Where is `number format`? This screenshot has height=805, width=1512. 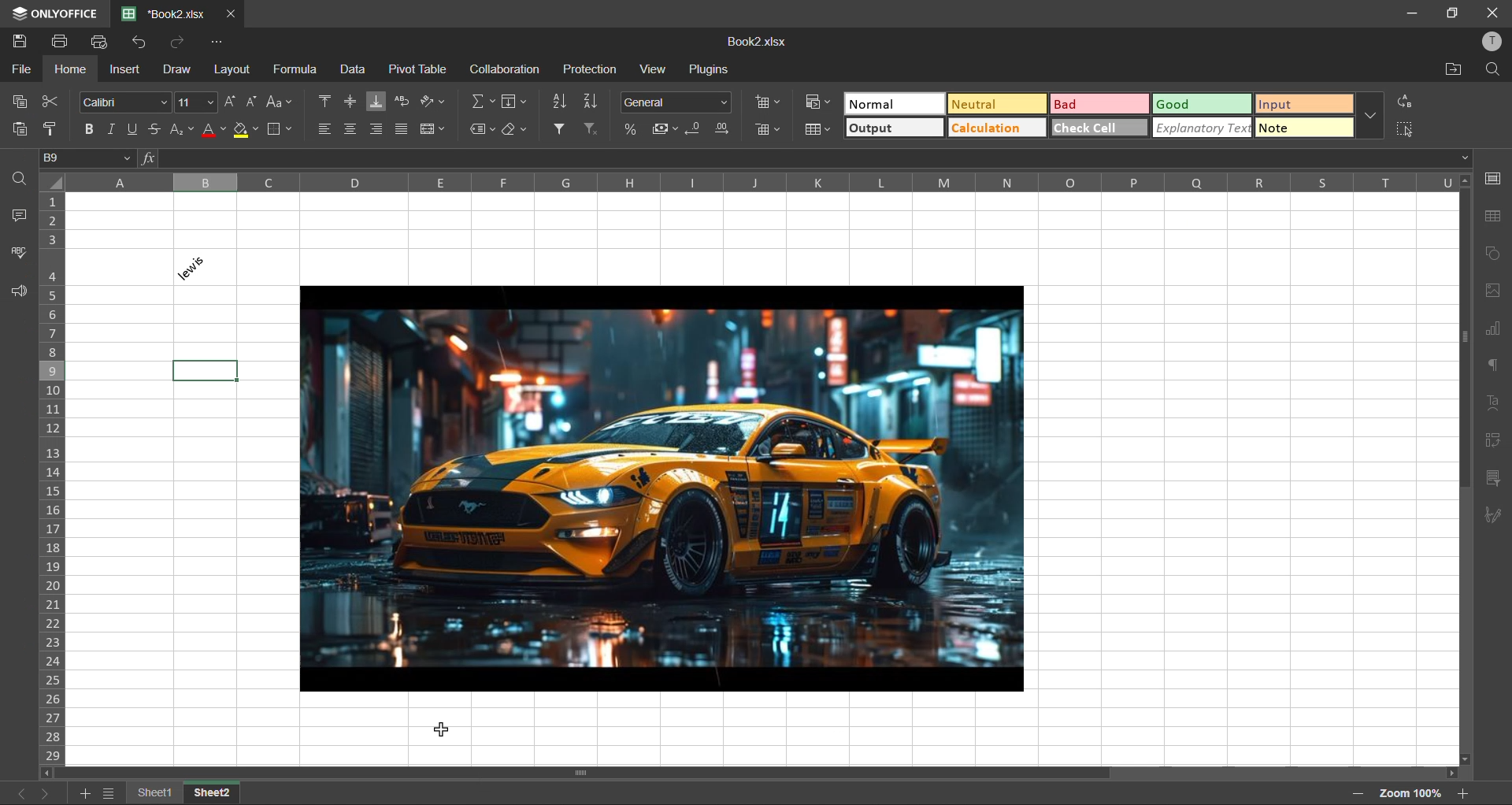
number format is located at coordinates (676, 104).